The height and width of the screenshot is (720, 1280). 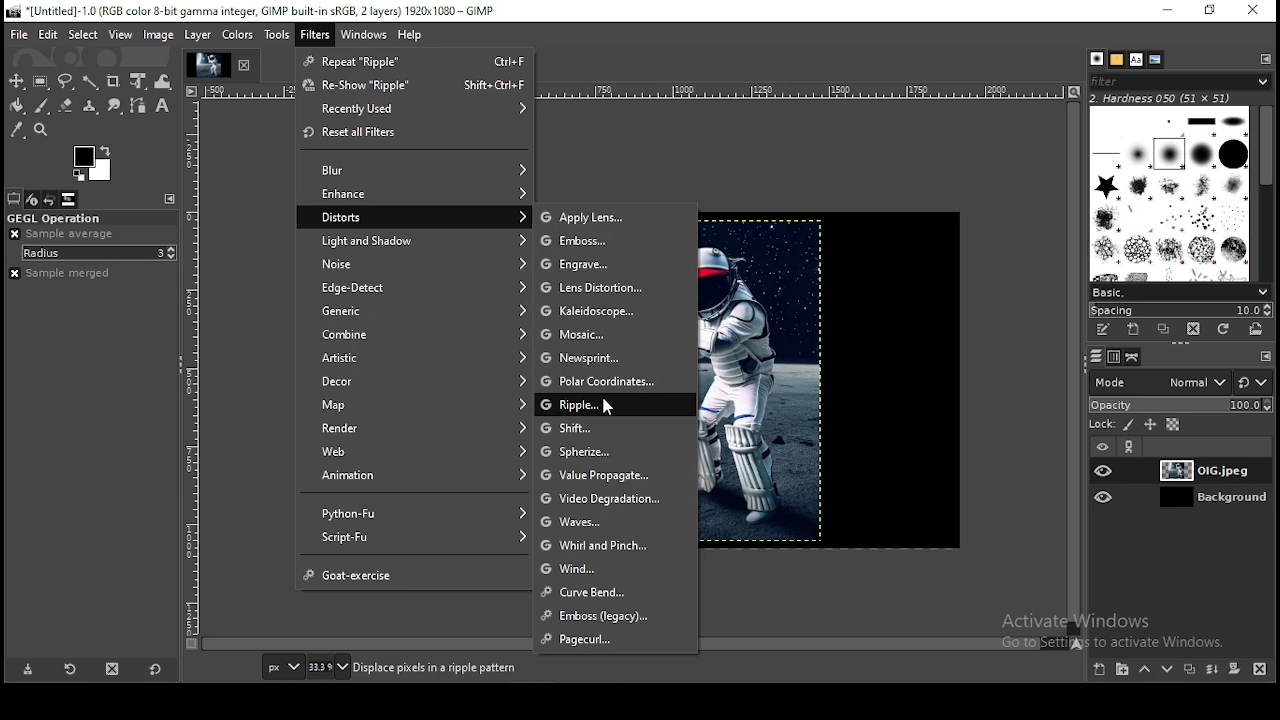 I want to click on animation, so click(x=418, y=475).